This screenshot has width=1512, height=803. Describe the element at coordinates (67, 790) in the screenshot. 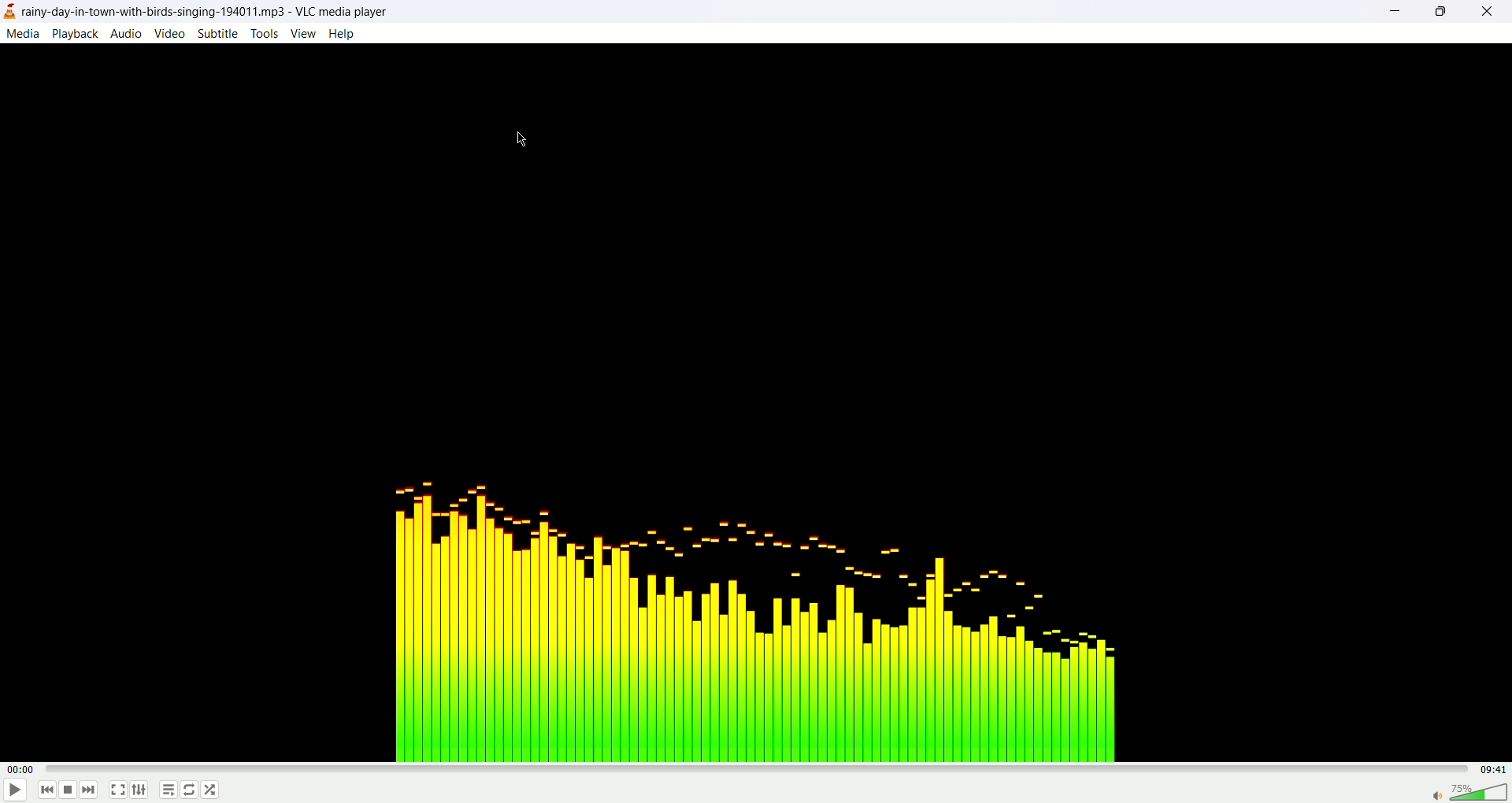

I see `stop` at that location.